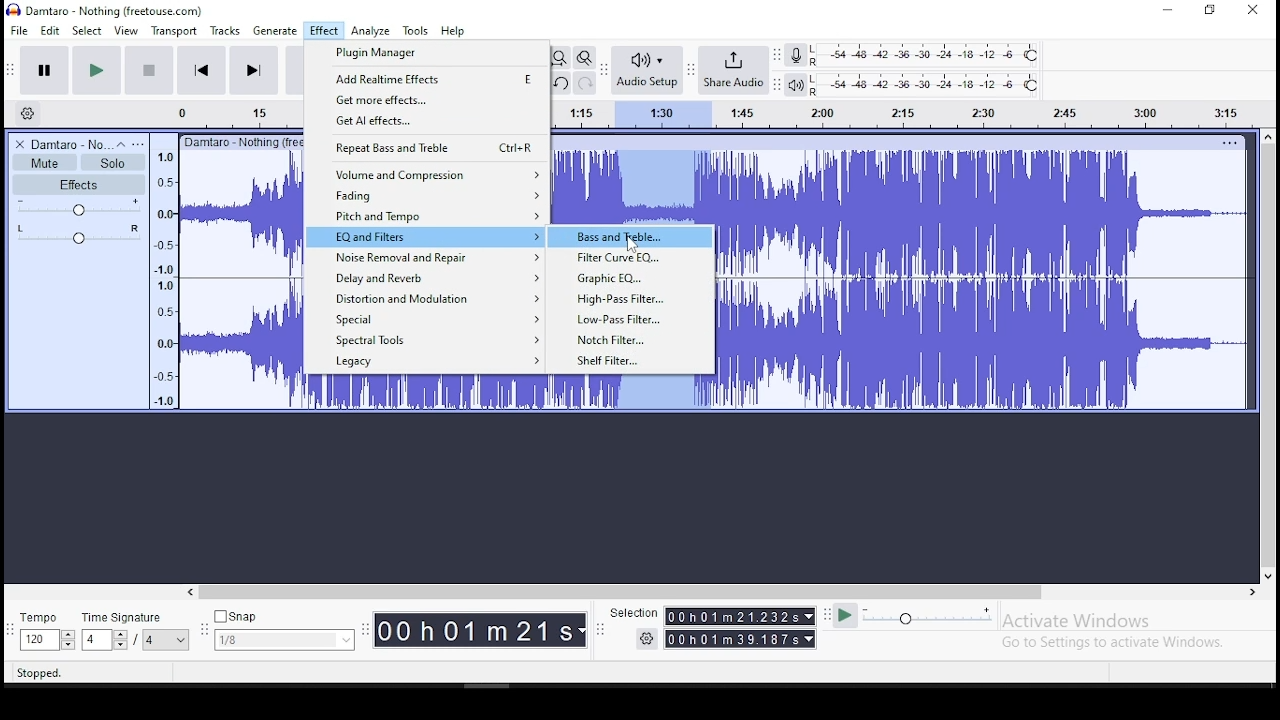 The width and height of the screenshot is (1280, 720). I want to click on generate, so click(273, 31).